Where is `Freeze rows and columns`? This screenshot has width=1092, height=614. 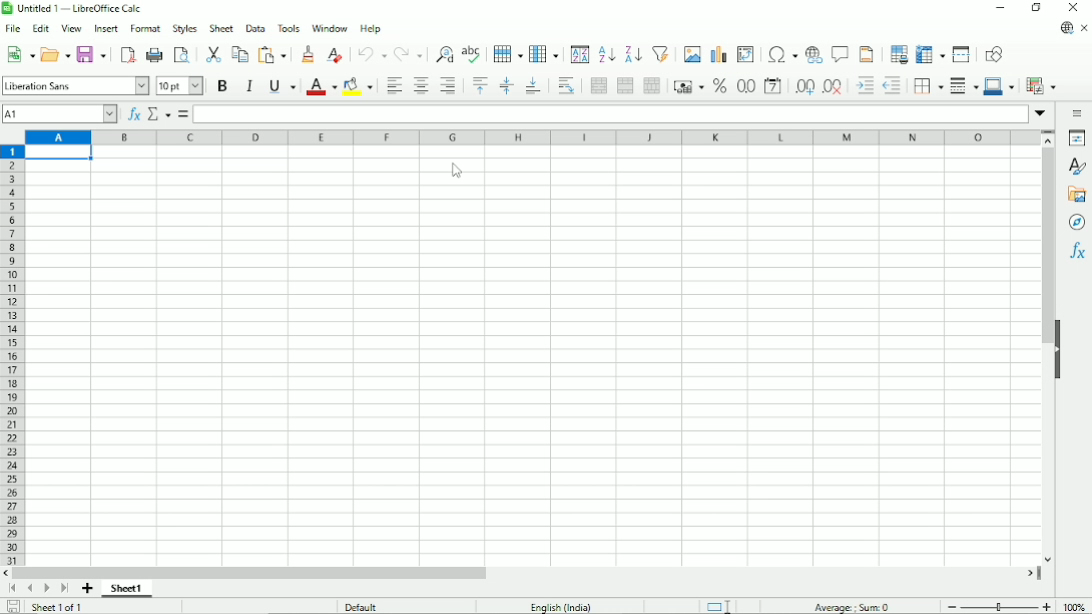
Freeze rows and columns is located at coordinates (930, 54).